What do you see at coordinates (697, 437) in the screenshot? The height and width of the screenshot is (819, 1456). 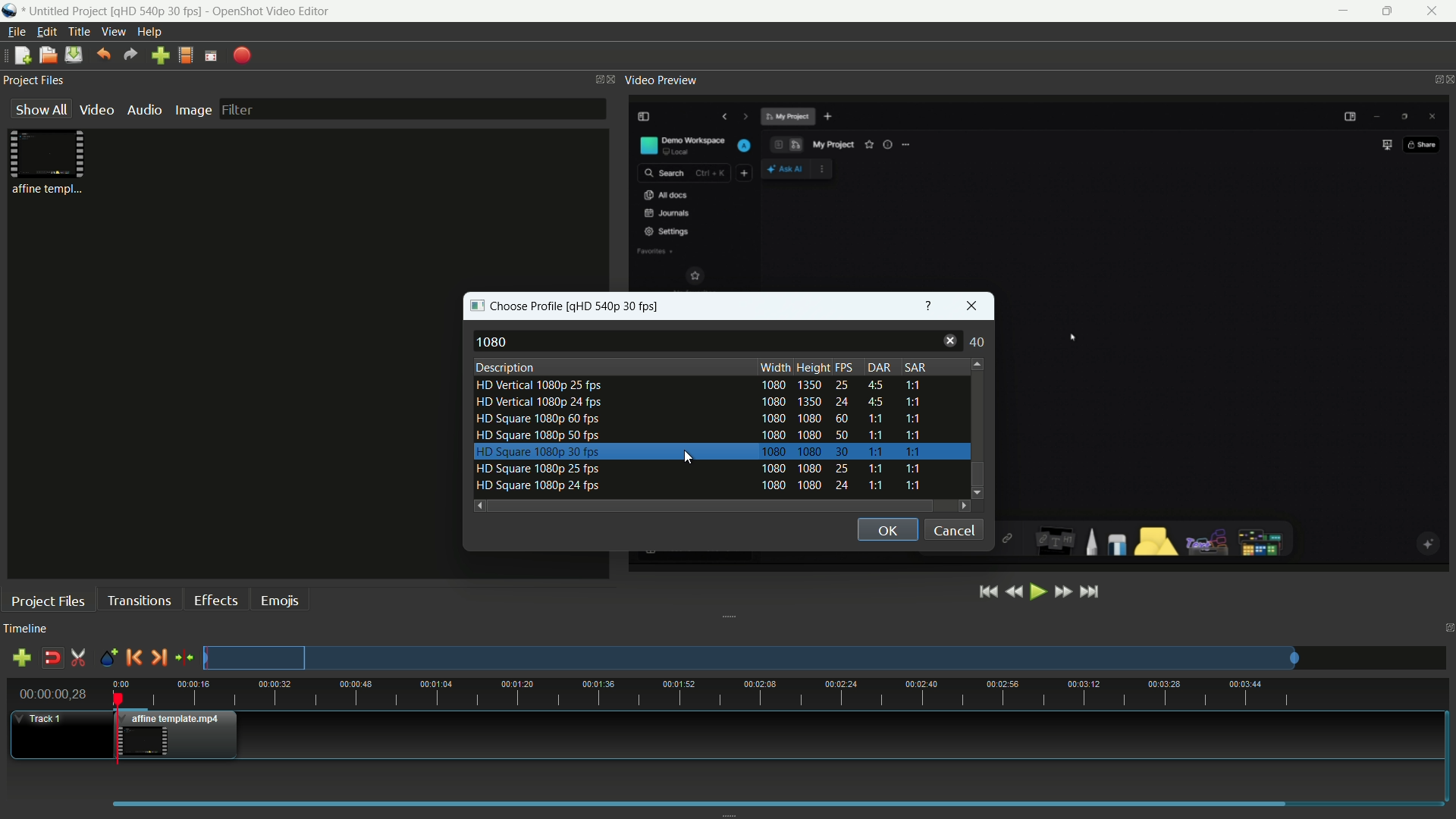 I see `profile-4` at bounding box center [697, 437].